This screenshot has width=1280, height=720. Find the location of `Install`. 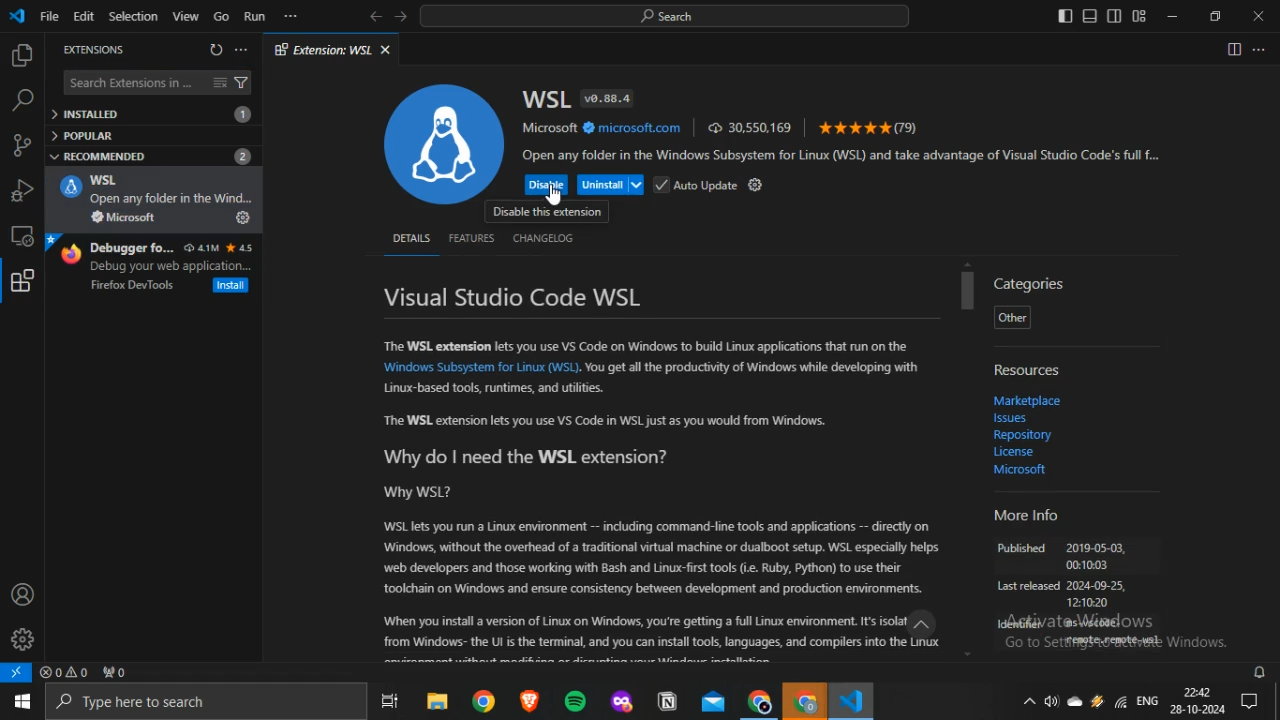

Install is located at coordinates (232, 285).